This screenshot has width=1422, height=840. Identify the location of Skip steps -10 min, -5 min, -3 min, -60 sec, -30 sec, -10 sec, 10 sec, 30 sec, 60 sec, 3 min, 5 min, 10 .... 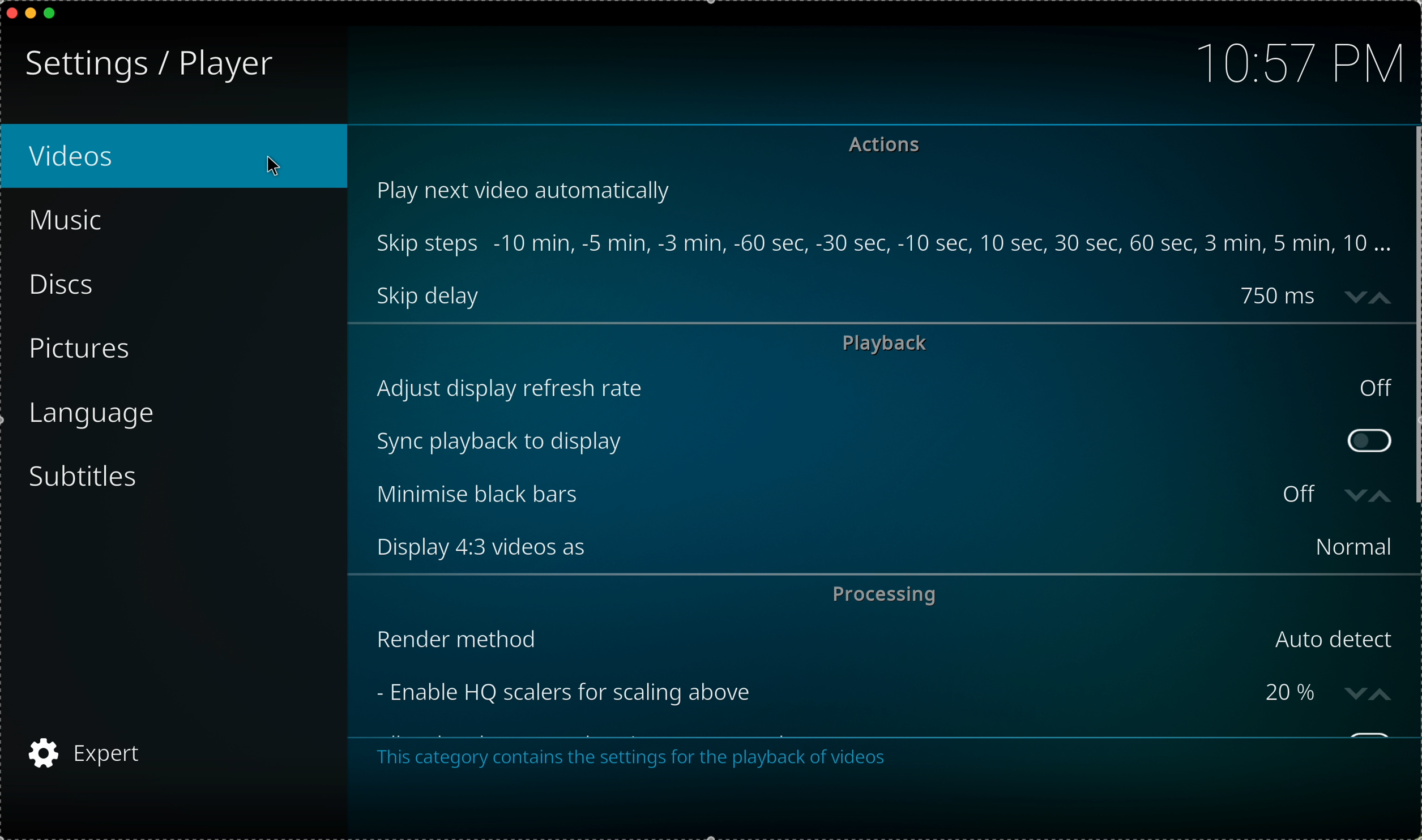
(886, 243).